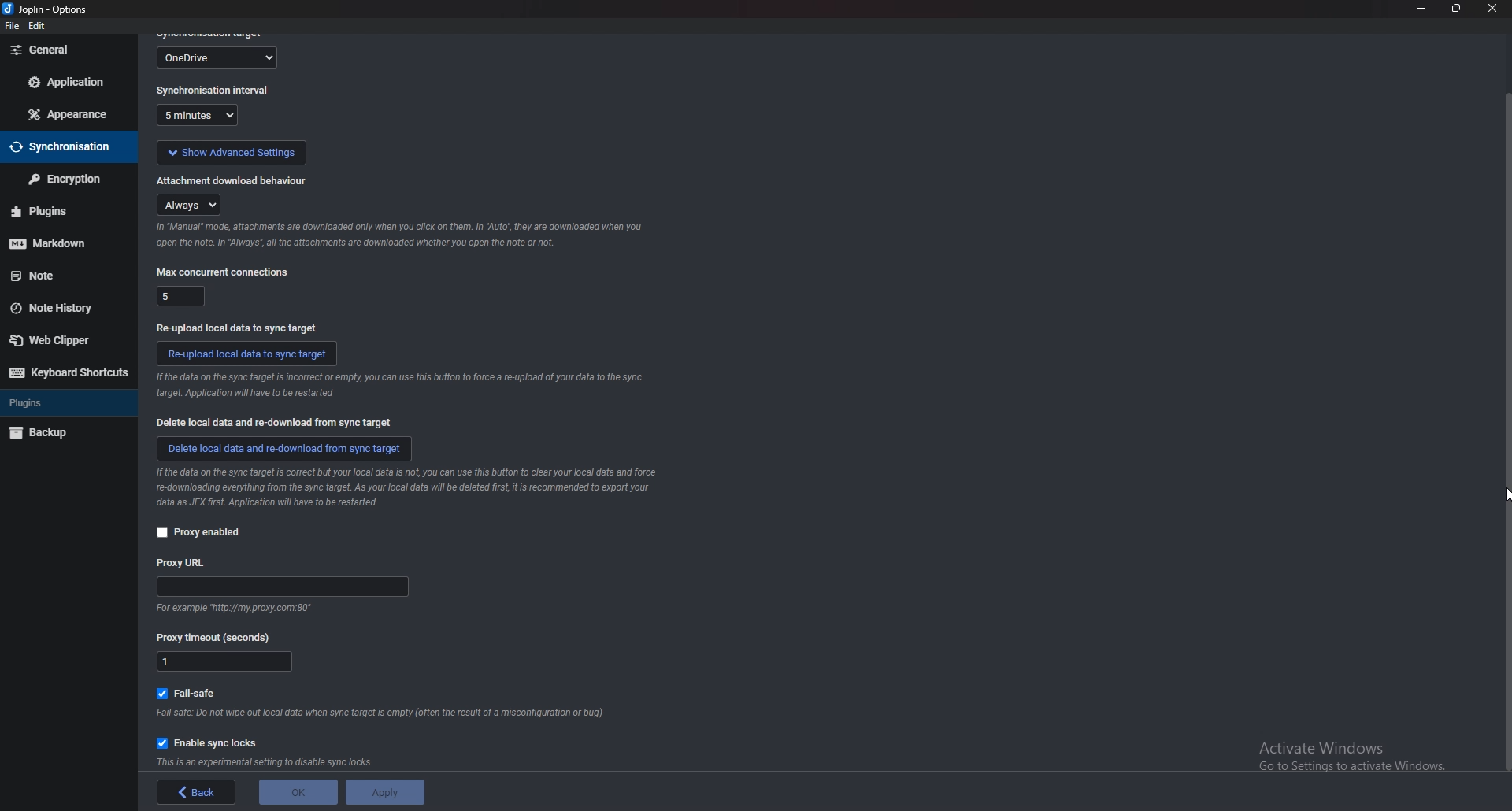  I want to click on reupload , so click(235, 326).